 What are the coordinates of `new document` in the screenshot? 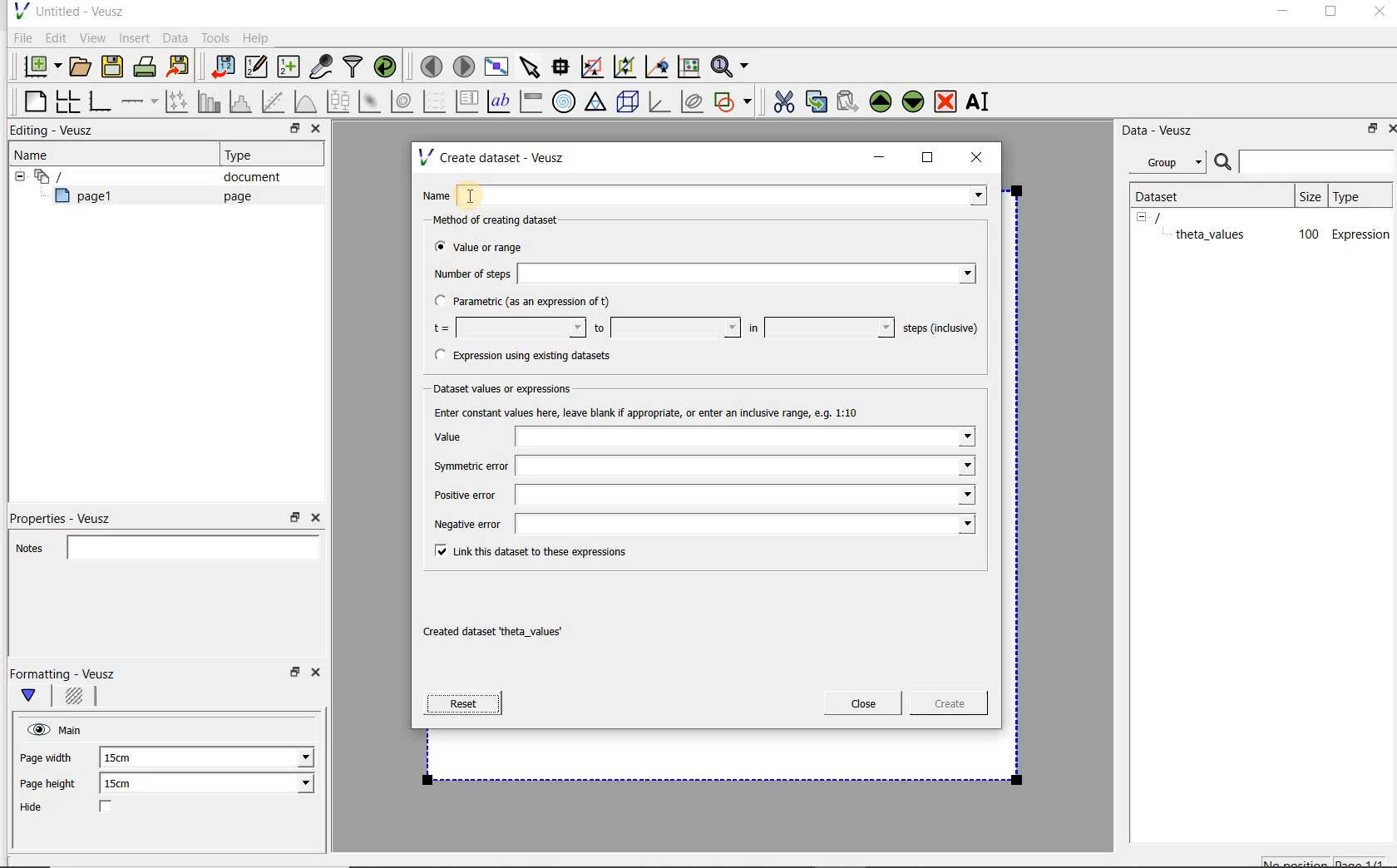 It's located at (38, 64).